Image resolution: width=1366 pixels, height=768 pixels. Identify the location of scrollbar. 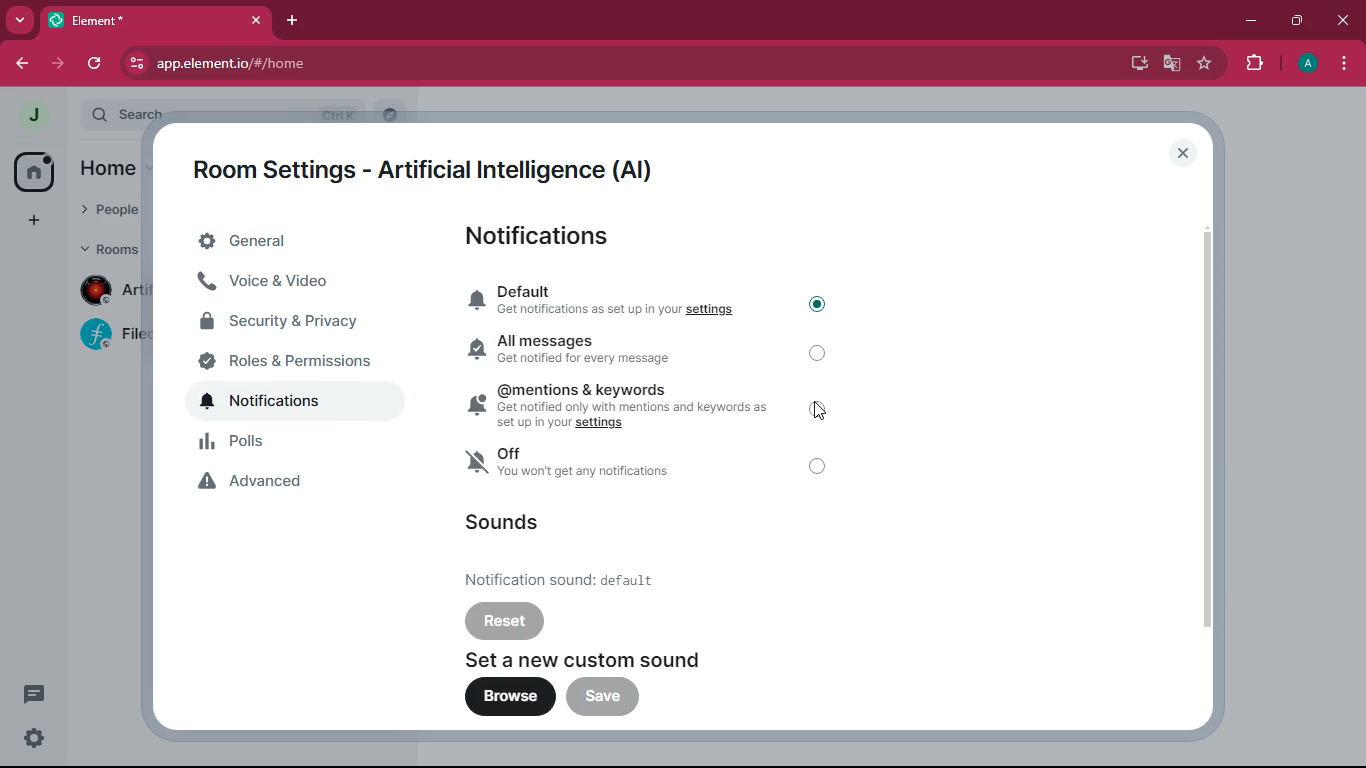
(1207, 429).